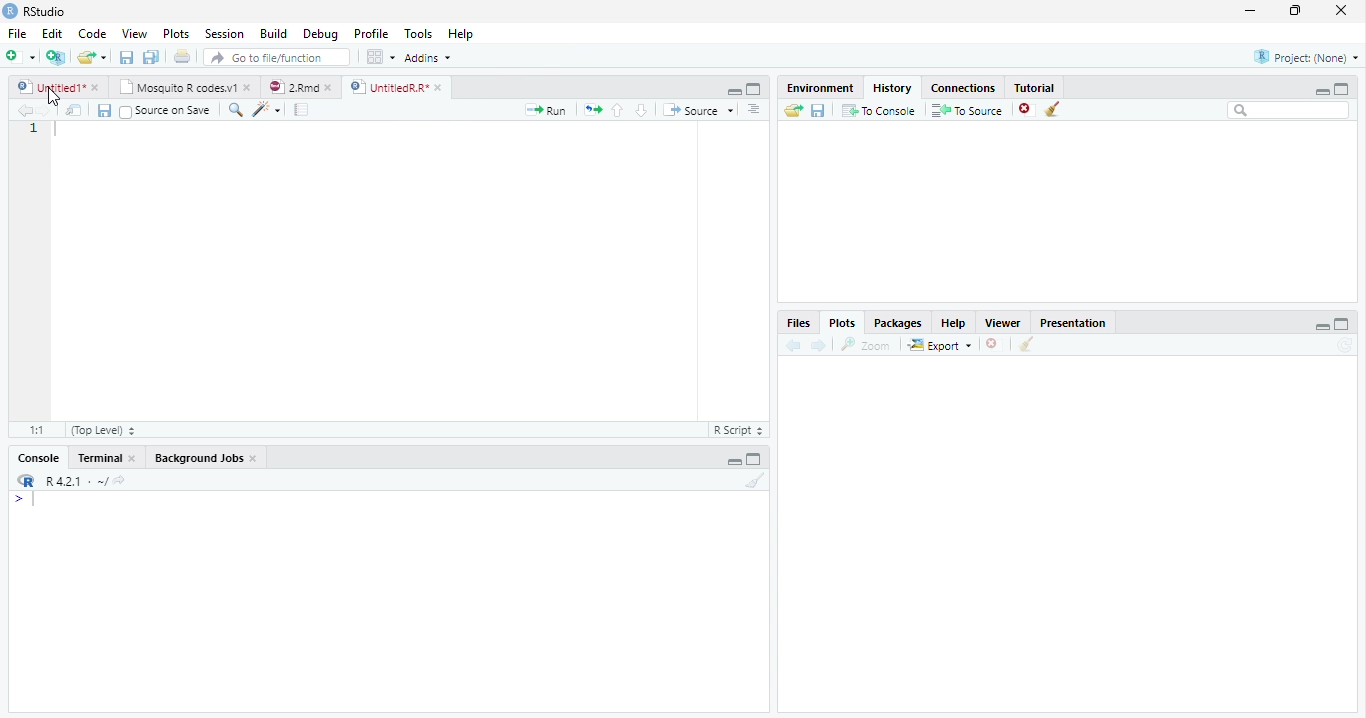 The width and height of the screenshot is (1366, 718). What do you see at coordinates (57, 59) in the screenshot?
I see `Create a project` at bounding box center [57, 59].